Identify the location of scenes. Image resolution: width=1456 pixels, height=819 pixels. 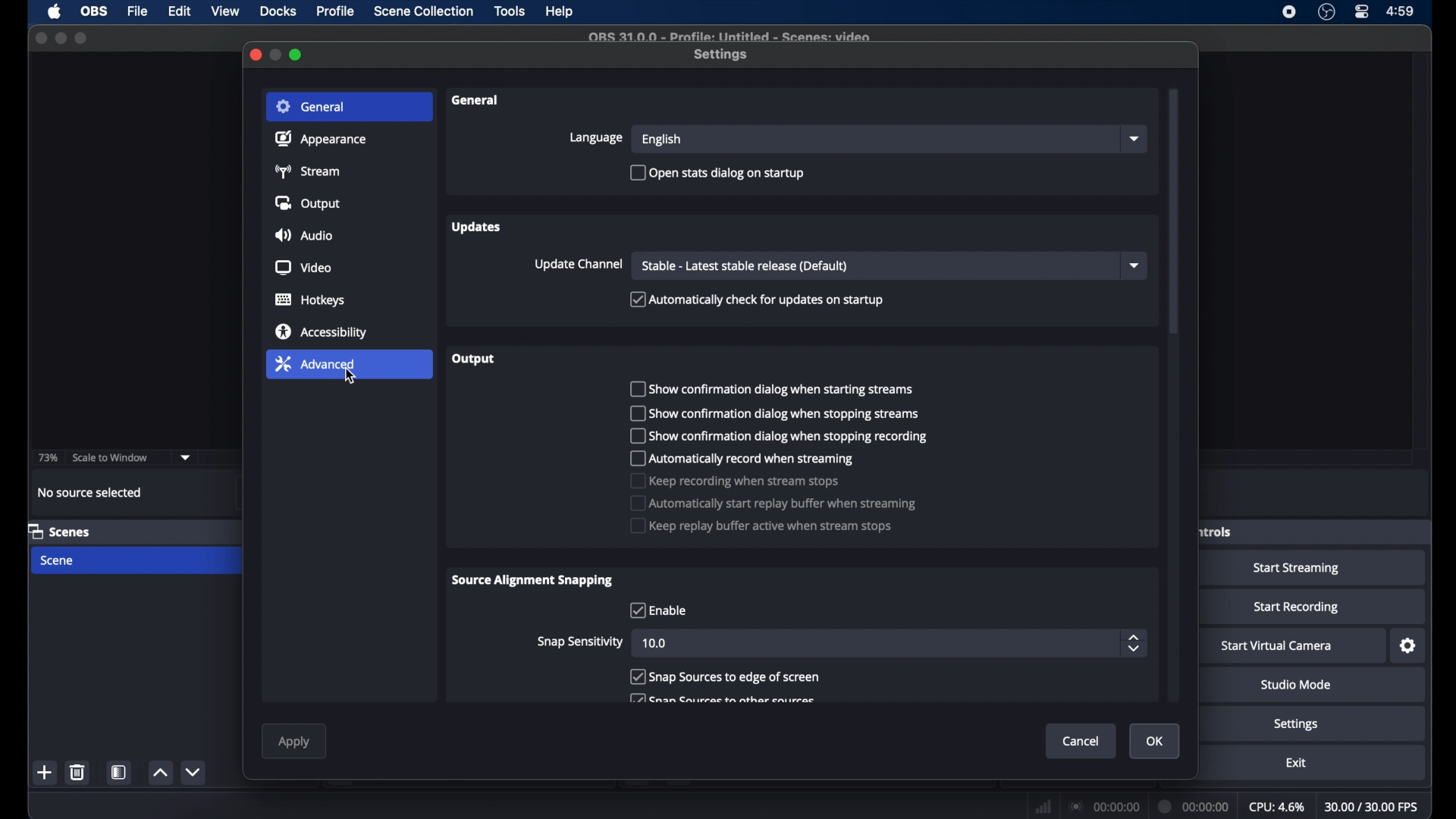
(61, 532).